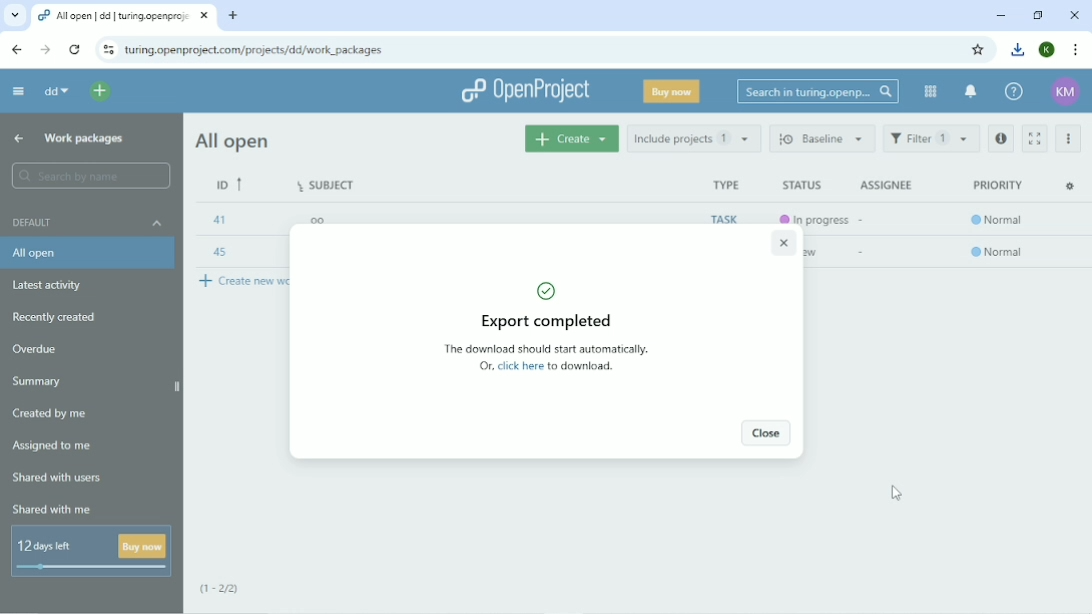 The height and width of the screenshot is (614, 1092). What do you see at coordinates (59, 316) in the screenshot?
I see `Recently created` at bounding box center [59, 316].